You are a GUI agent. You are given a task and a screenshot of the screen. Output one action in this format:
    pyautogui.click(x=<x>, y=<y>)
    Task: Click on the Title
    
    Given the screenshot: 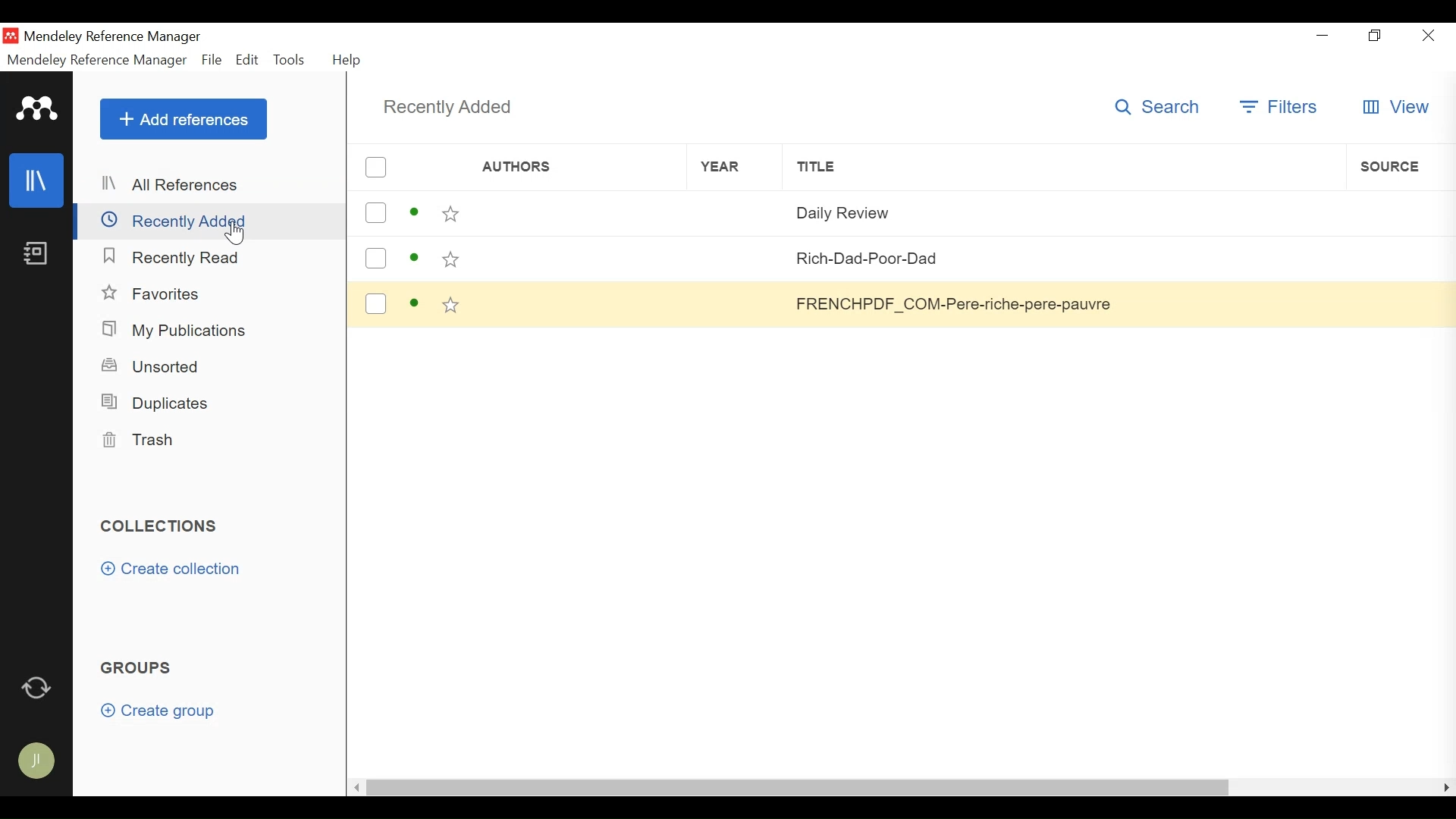 What is the action you would take?
    pyautogui.click(x=1062, y=212)
    